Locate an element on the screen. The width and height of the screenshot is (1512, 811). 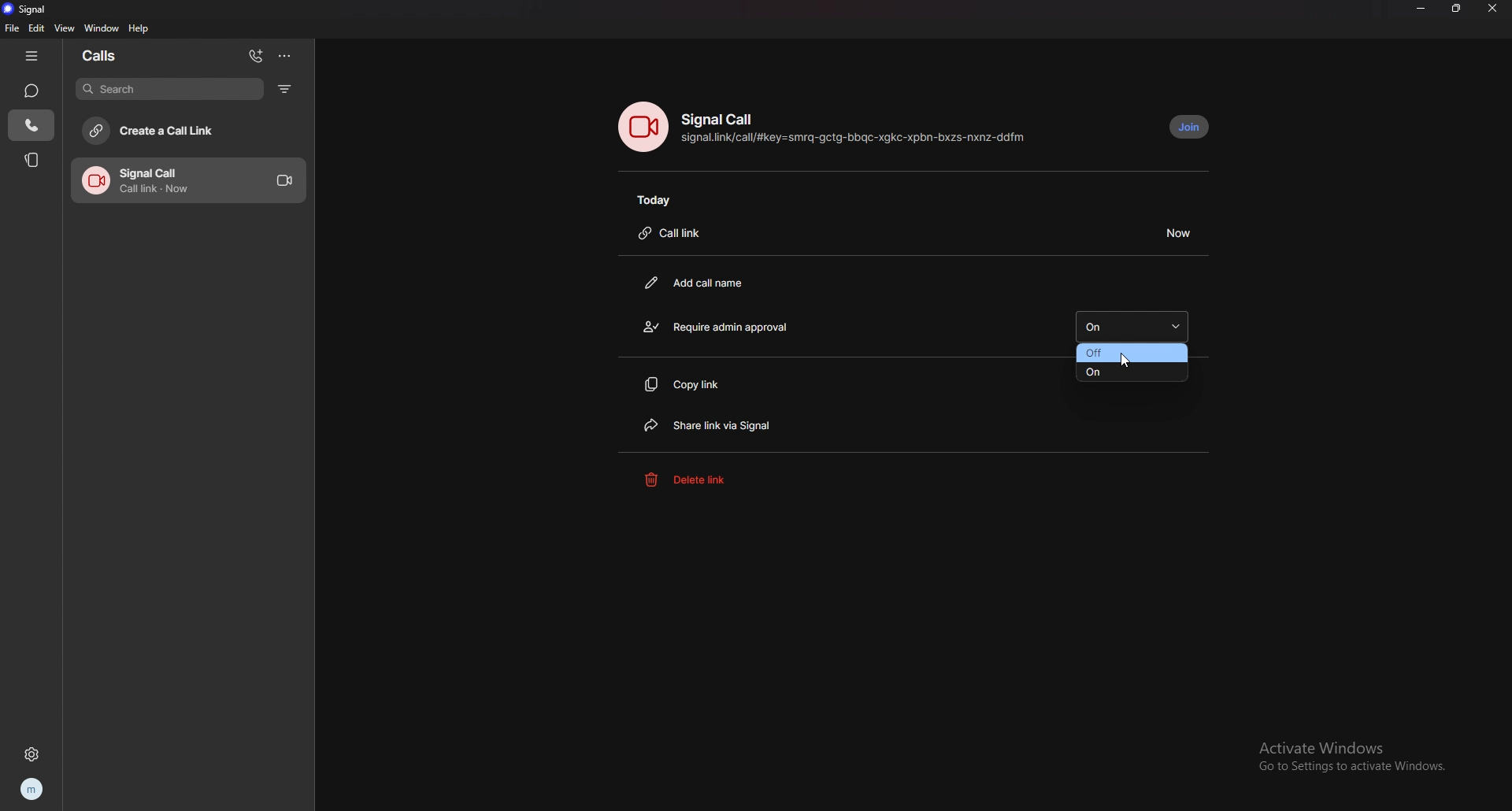
create a call link is located at coordinates (186, 131).